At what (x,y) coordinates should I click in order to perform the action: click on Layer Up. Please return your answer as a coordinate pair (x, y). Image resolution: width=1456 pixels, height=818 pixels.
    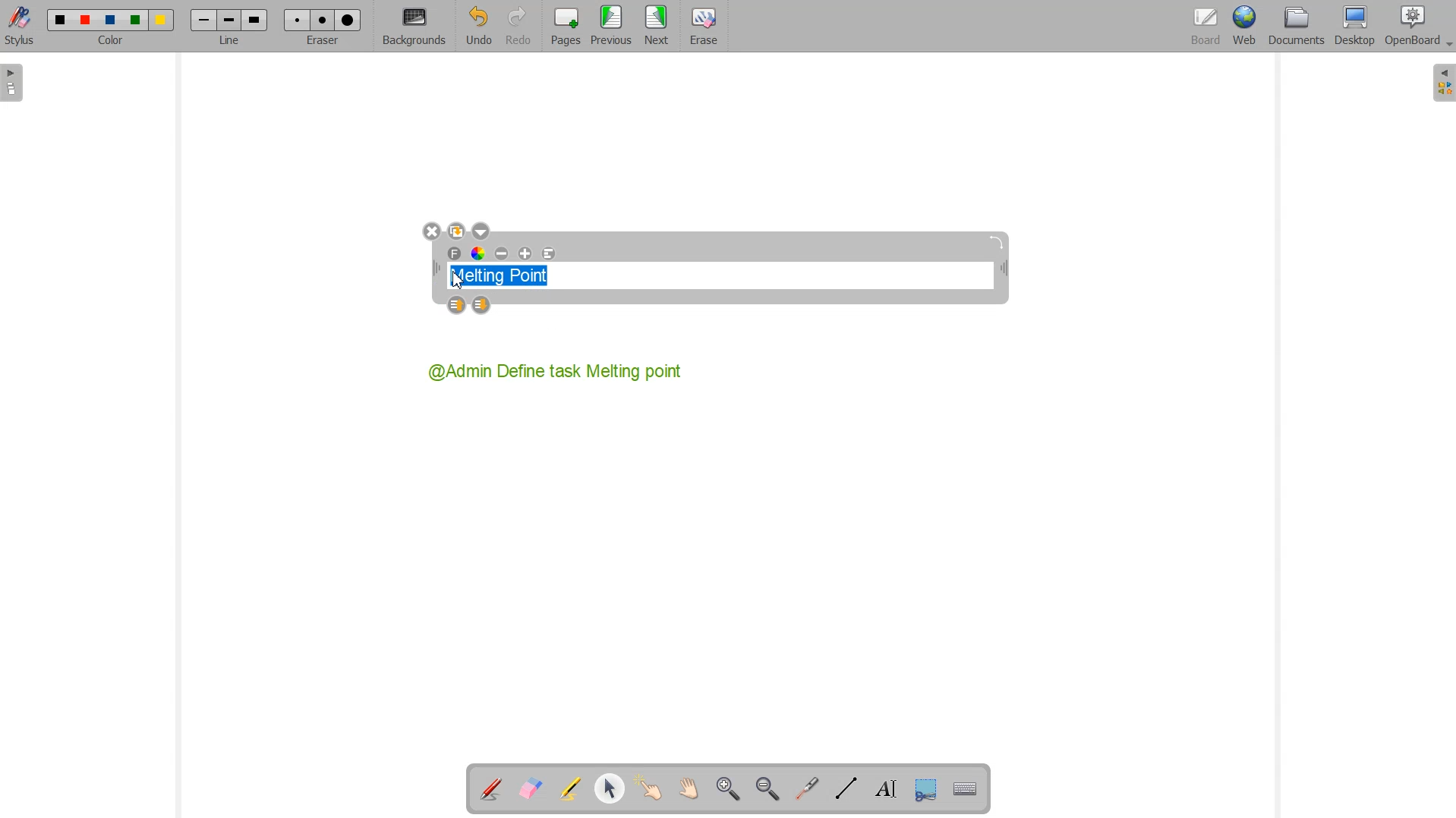
    Looking at the image, I should click on (459, 306).